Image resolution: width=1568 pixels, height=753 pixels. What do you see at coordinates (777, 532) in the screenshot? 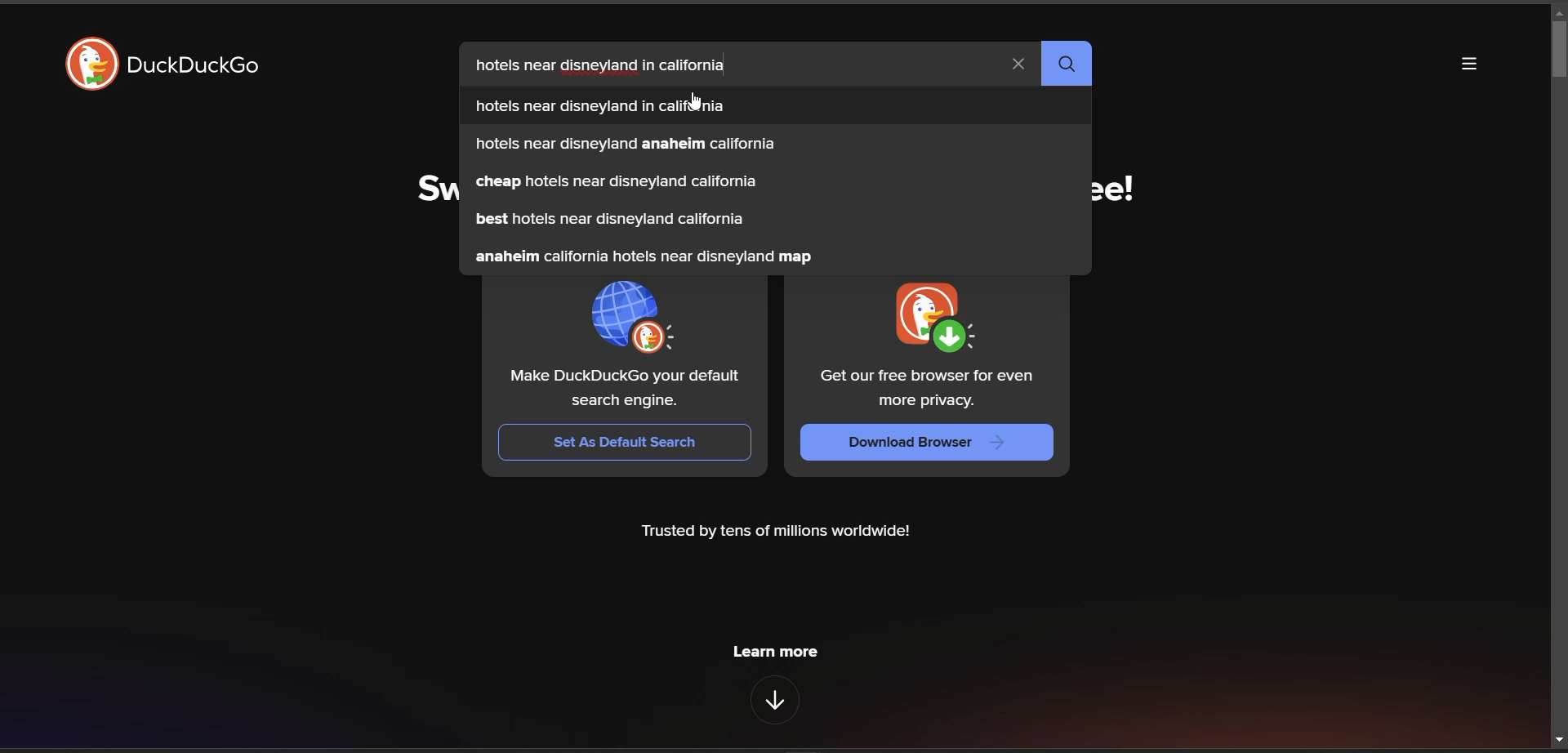
I see `Trusted by tens of millions worldwide!` at bounding box center [777, 532].